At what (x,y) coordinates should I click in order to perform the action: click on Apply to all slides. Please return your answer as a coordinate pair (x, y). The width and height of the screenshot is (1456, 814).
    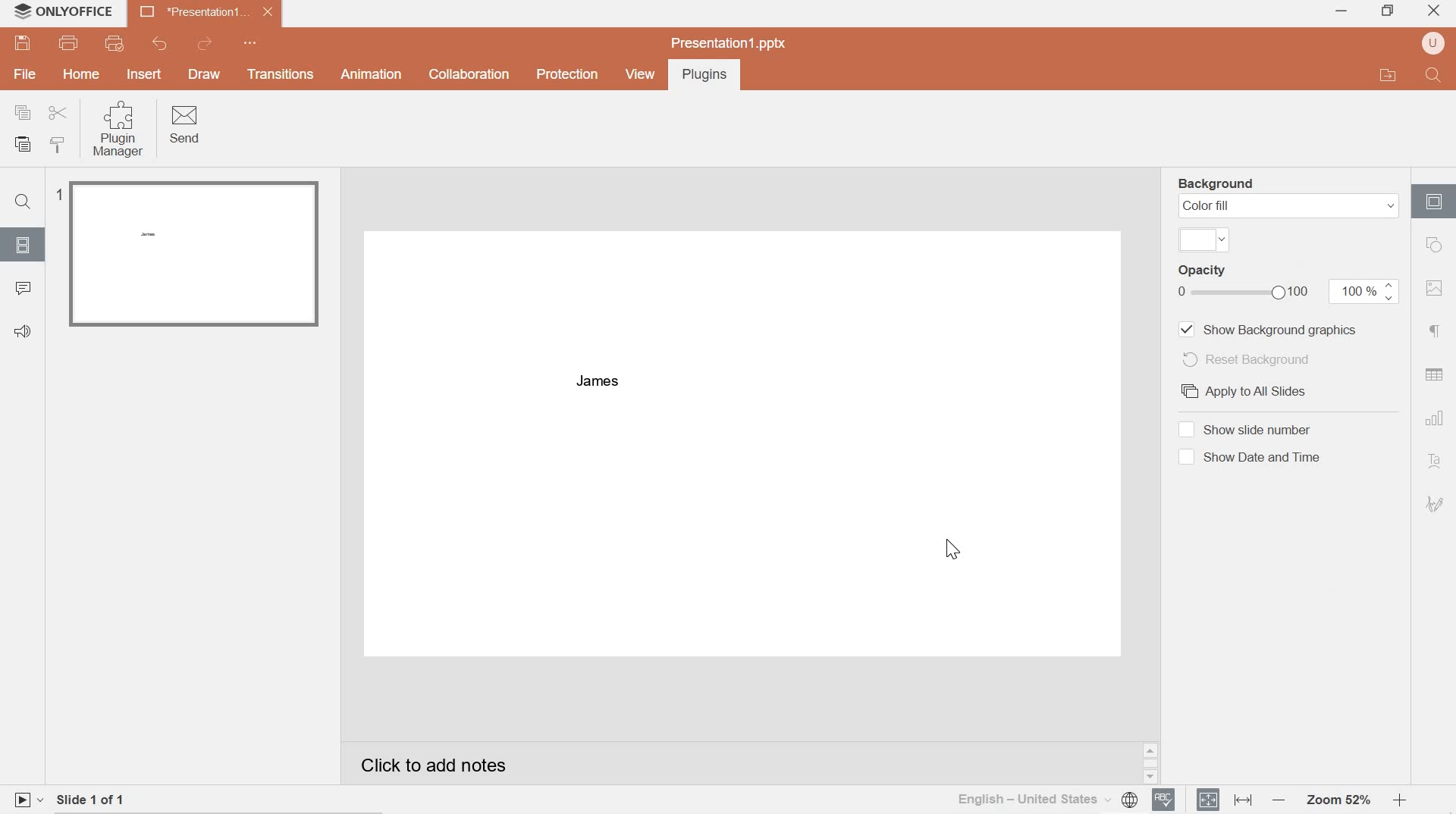
    Looking at the image, I should click on (1244, 392).